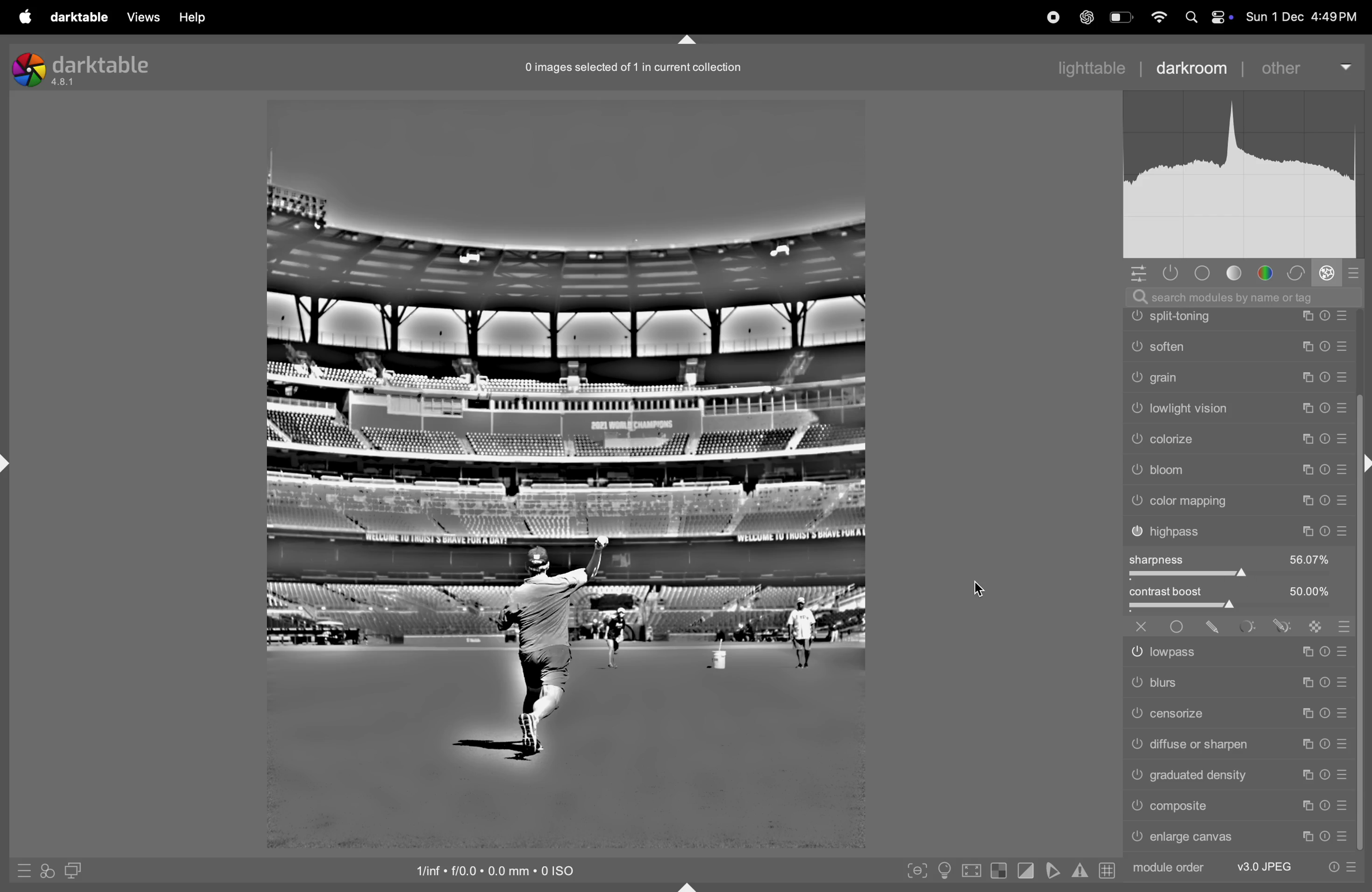 This screenshot has height=892, width=1372. I want to click on toggle high processing quality, so click(971, 870).